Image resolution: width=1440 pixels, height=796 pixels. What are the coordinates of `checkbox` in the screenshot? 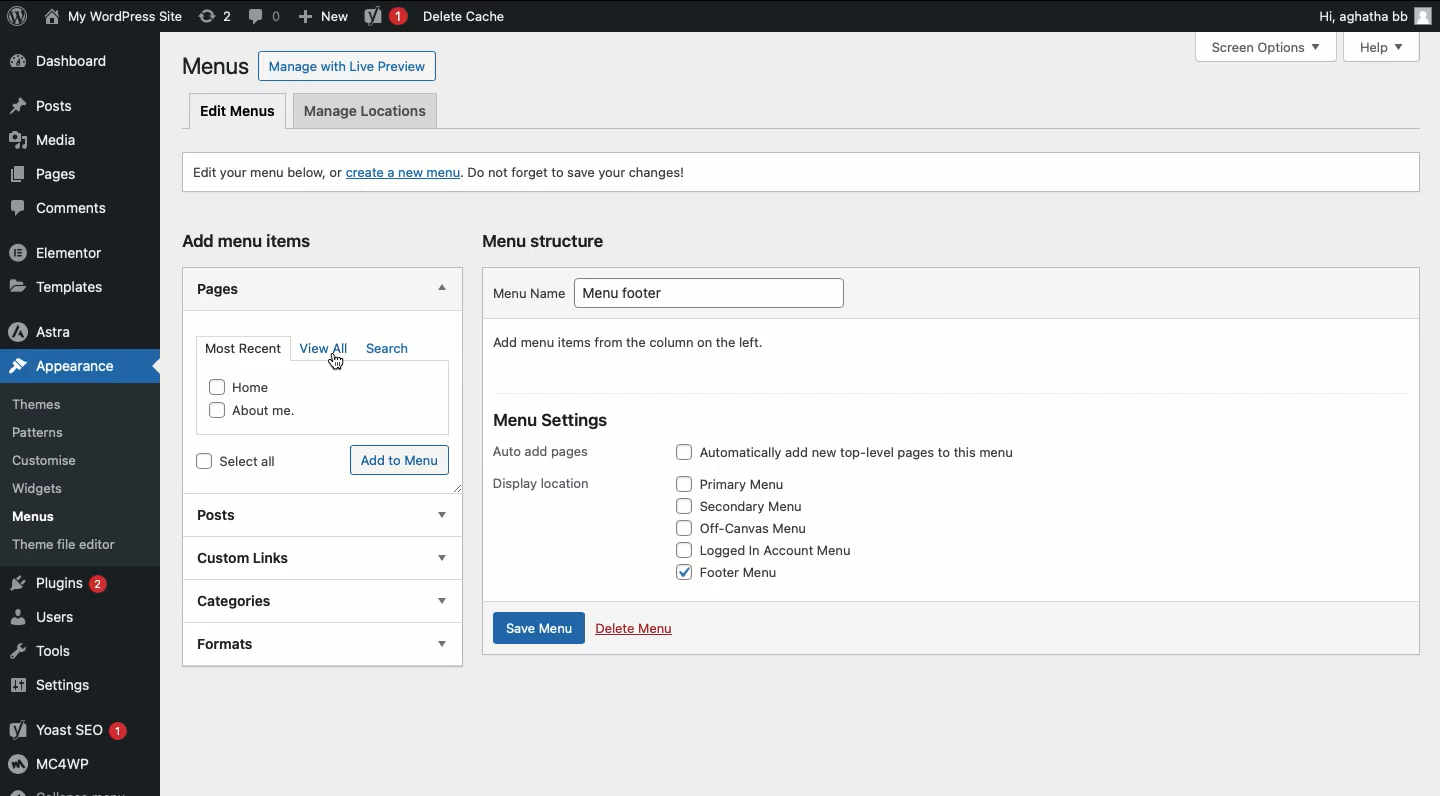 It's located at (214, 387).